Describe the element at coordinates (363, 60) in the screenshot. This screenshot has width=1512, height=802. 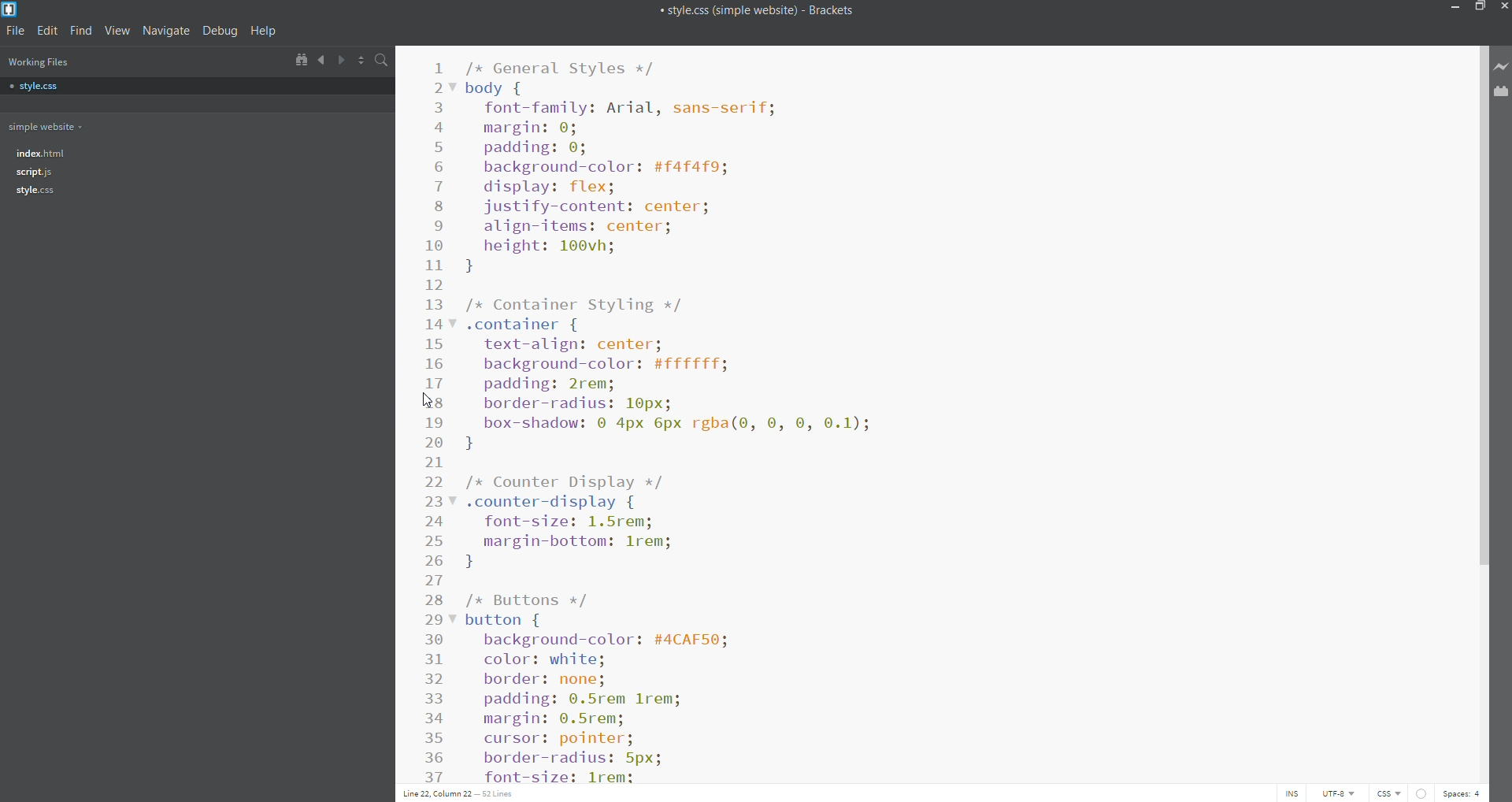
I see `split horizontally/vertically` at that location.